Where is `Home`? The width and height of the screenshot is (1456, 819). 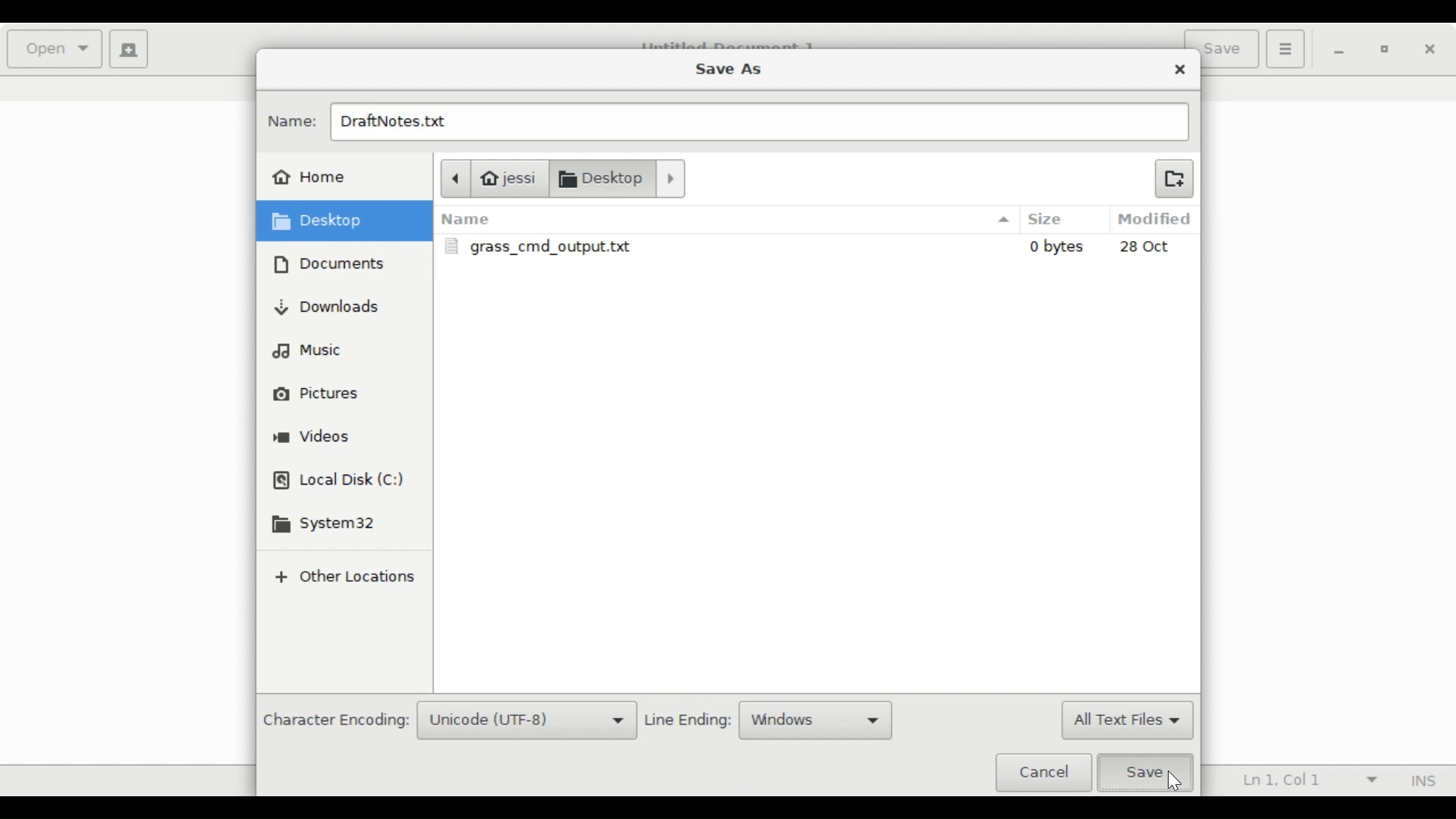
Home is located at coordinates (311, 175).